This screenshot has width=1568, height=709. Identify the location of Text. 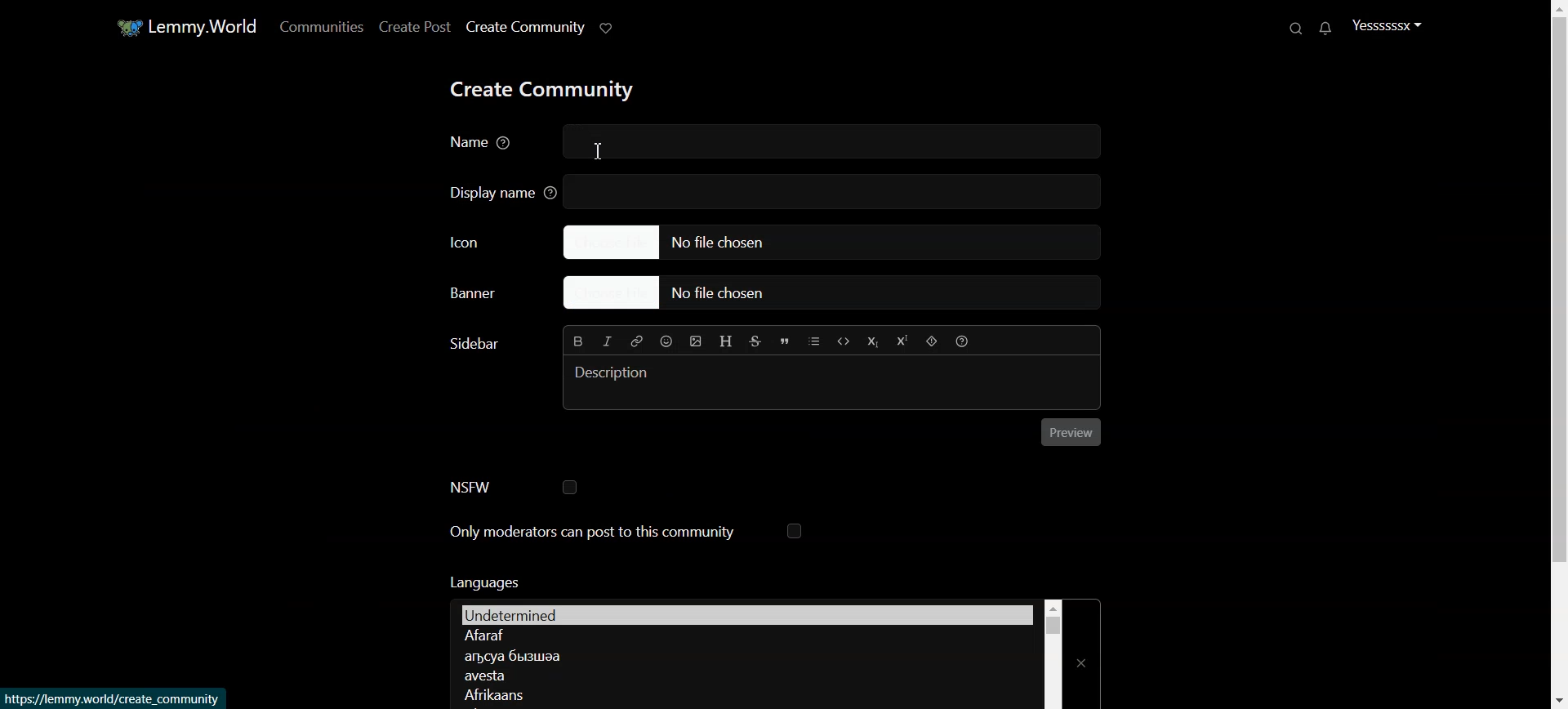
(472, 344).